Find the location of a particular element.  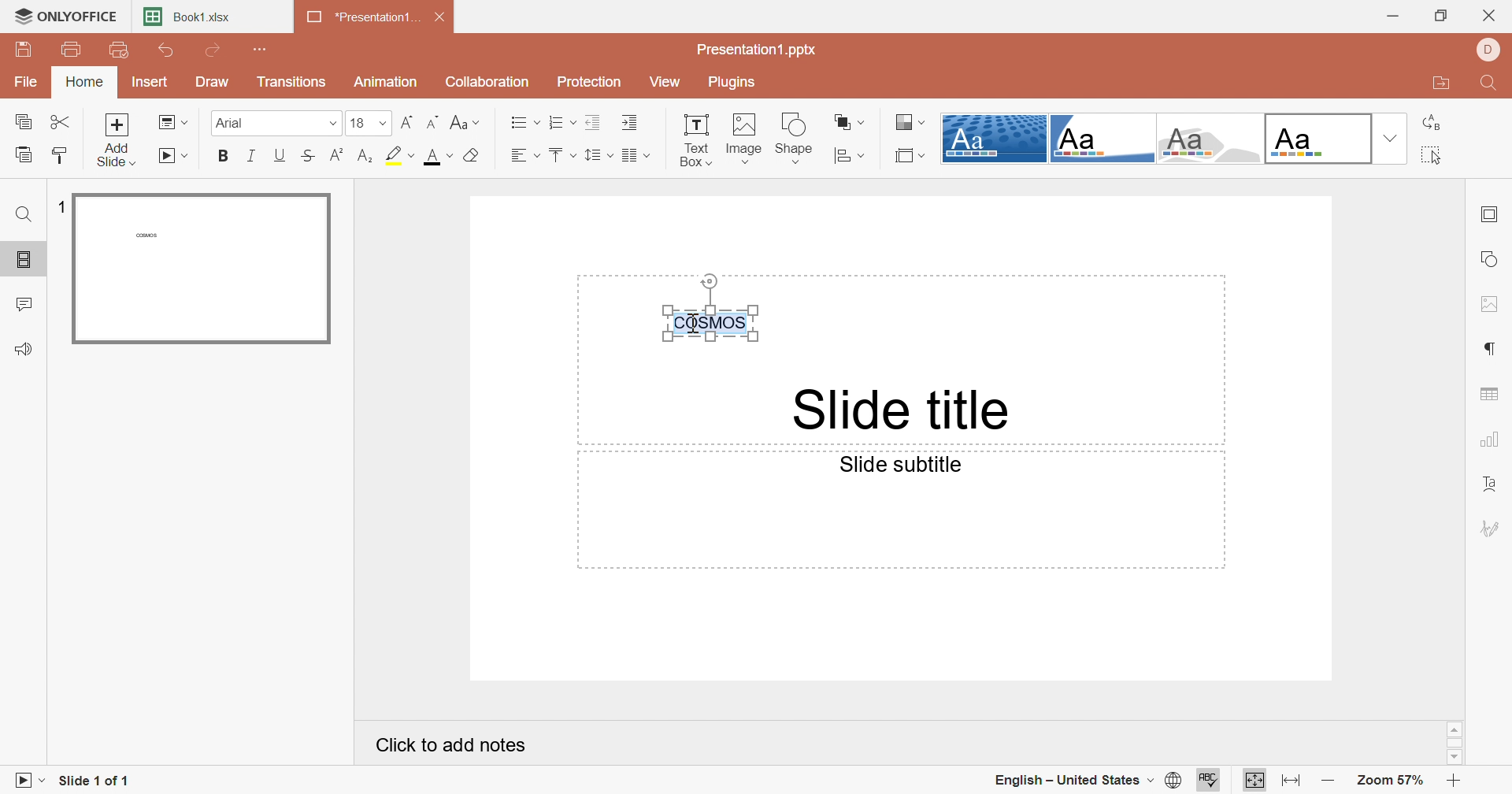

Arial is located at coordinates (278, 124).